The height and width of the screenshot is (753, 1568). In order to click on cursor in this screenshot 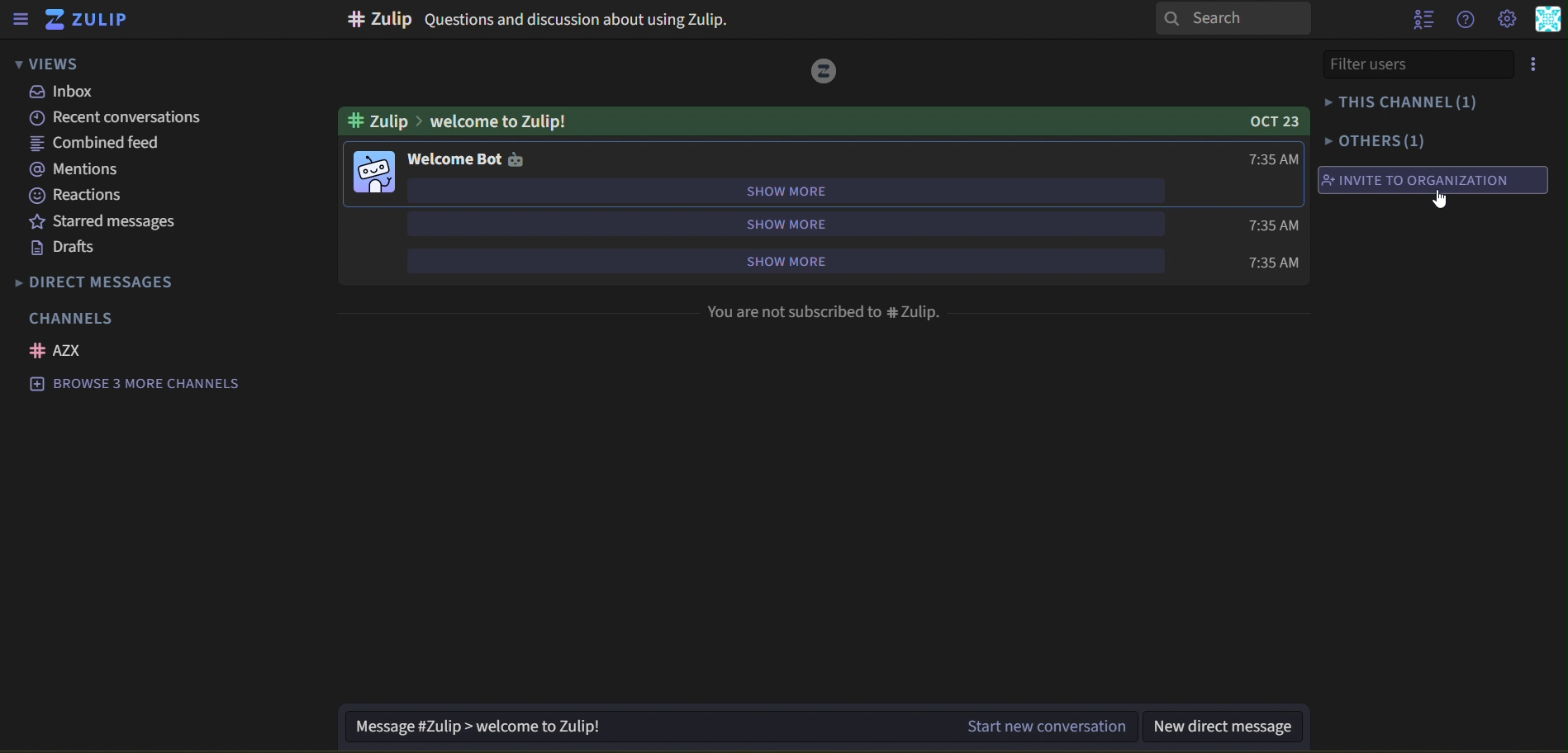, I will do `click(1434, 199)`.